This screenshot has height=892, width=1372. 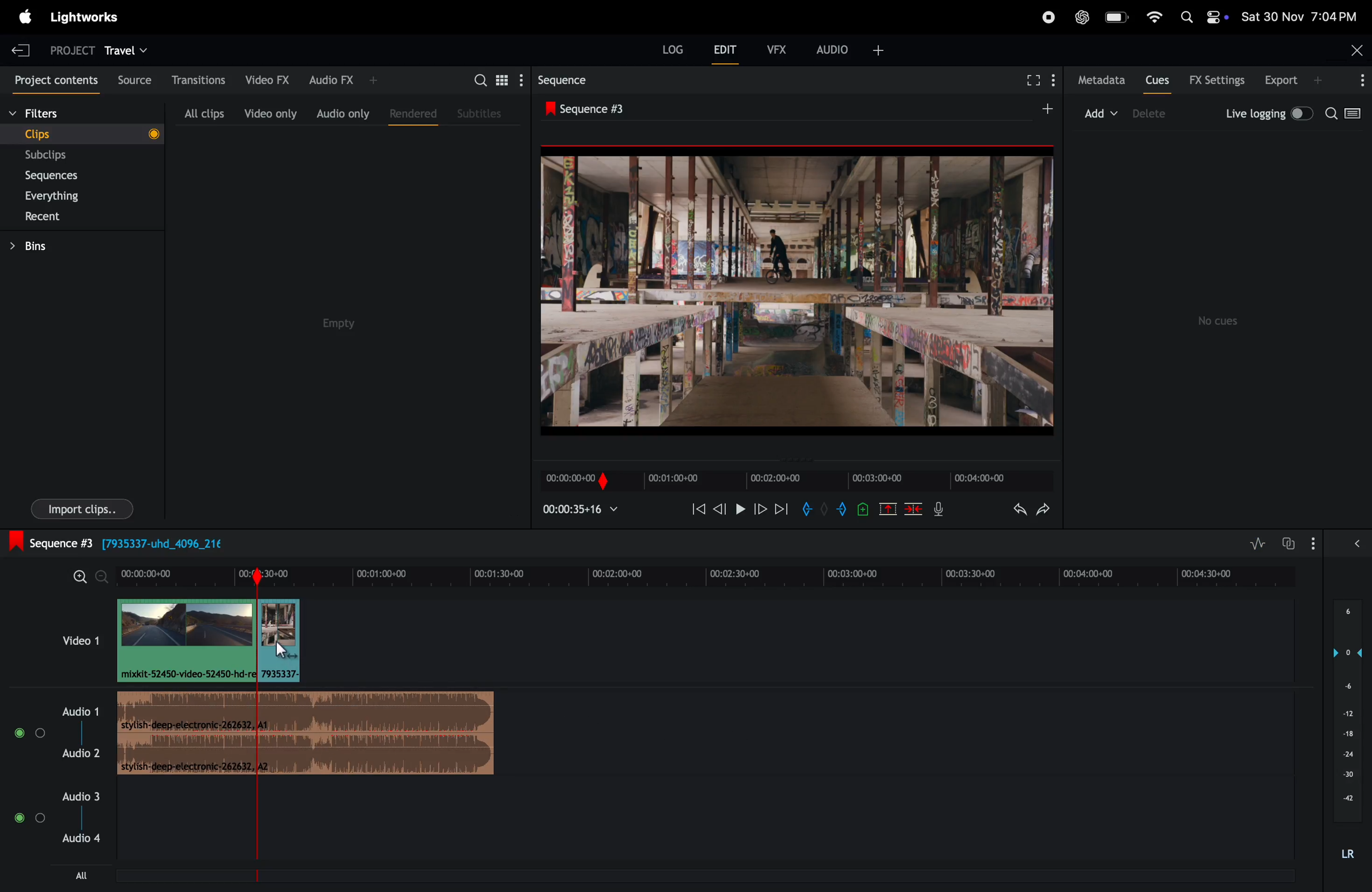 What do you see at coordinates (1317, 543) in the screenshot?
I see `options` at bounding box center [1317, 543].